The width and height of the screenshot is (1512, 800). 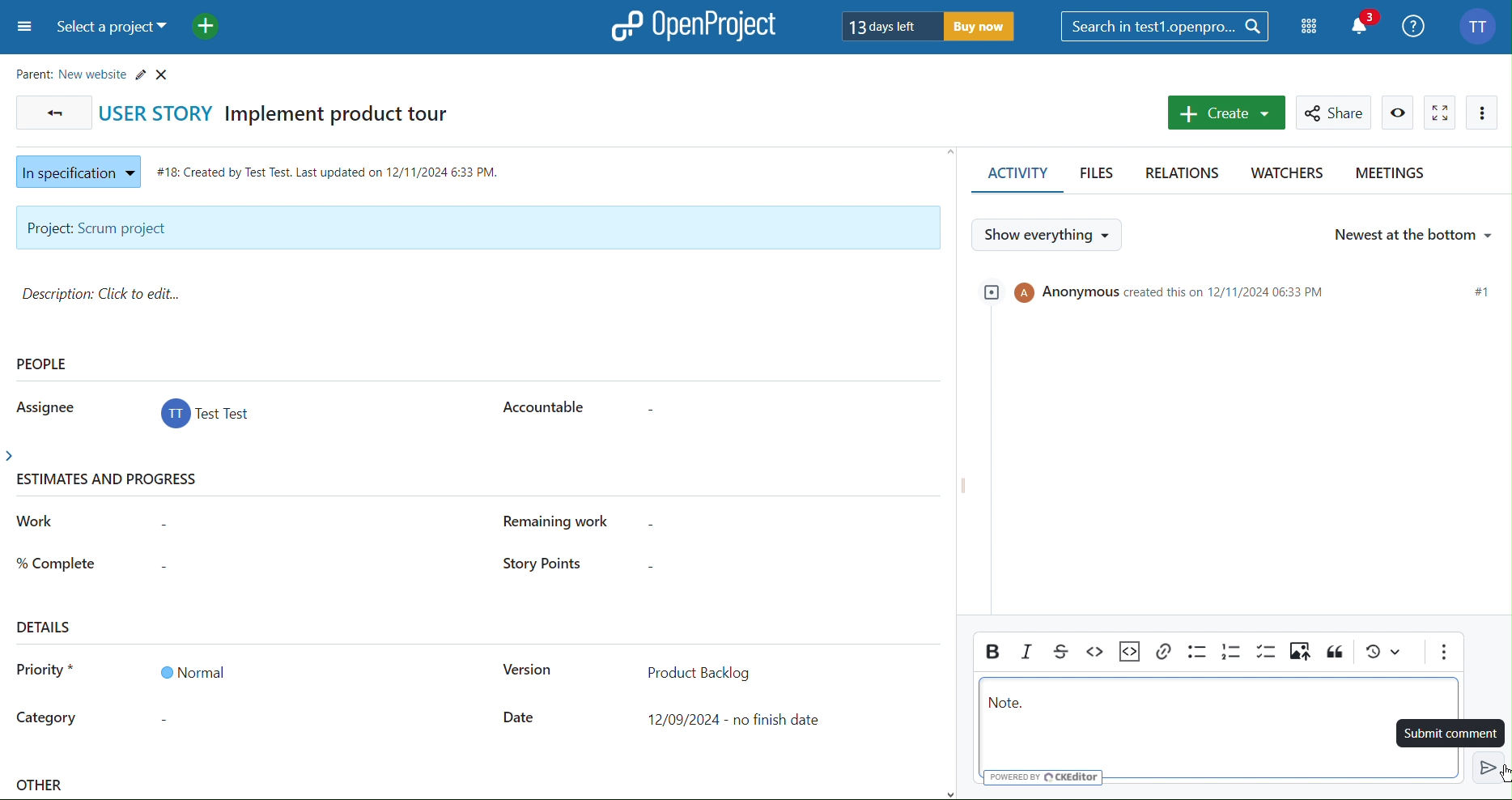 What do you see at coordinates (992, 651) in the screenshot?
I see `Bold` at bounding box center [992, 651].